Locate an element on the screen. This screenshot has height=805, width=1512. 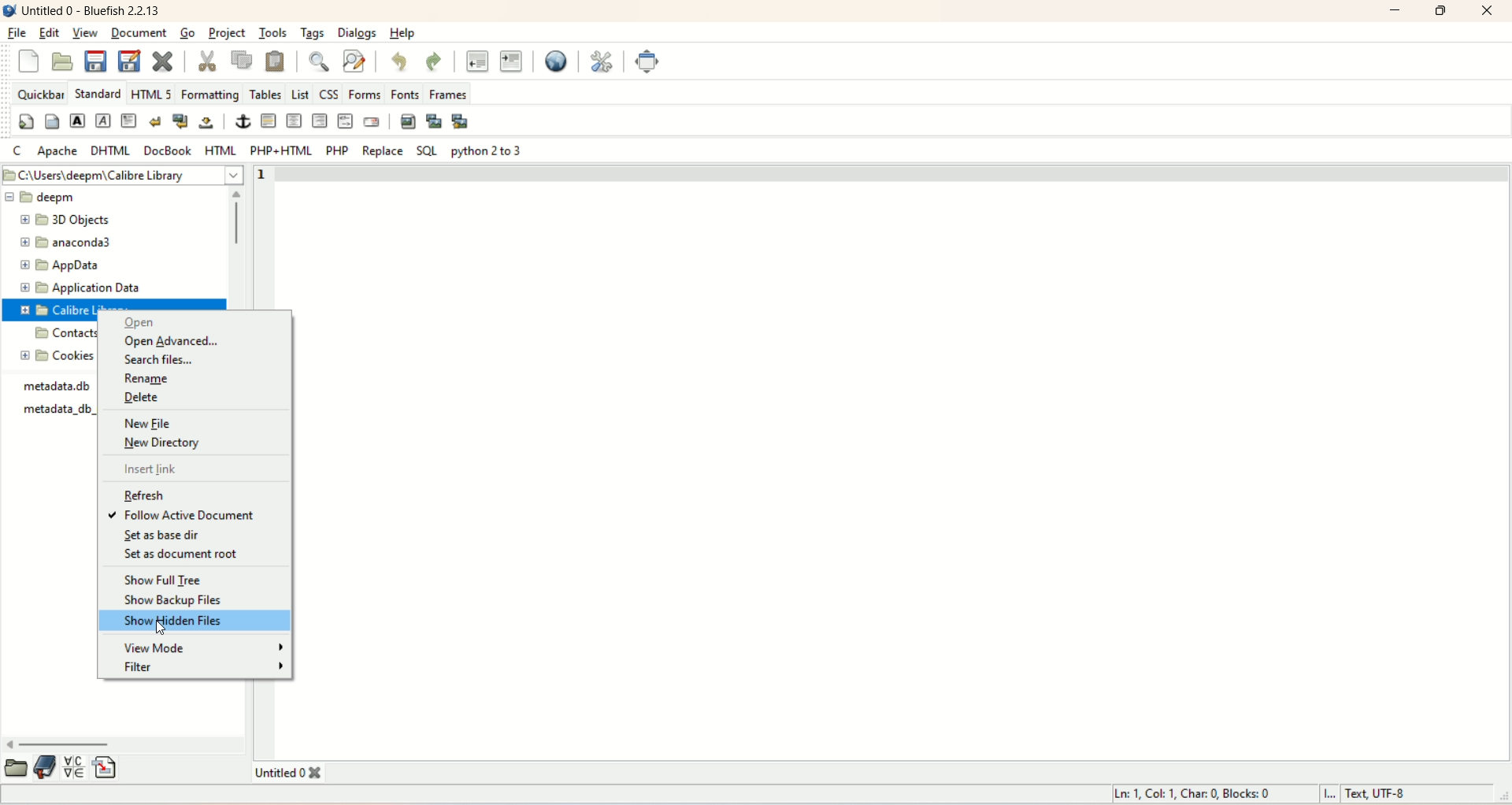
forms is located at coordinates (366, 94).